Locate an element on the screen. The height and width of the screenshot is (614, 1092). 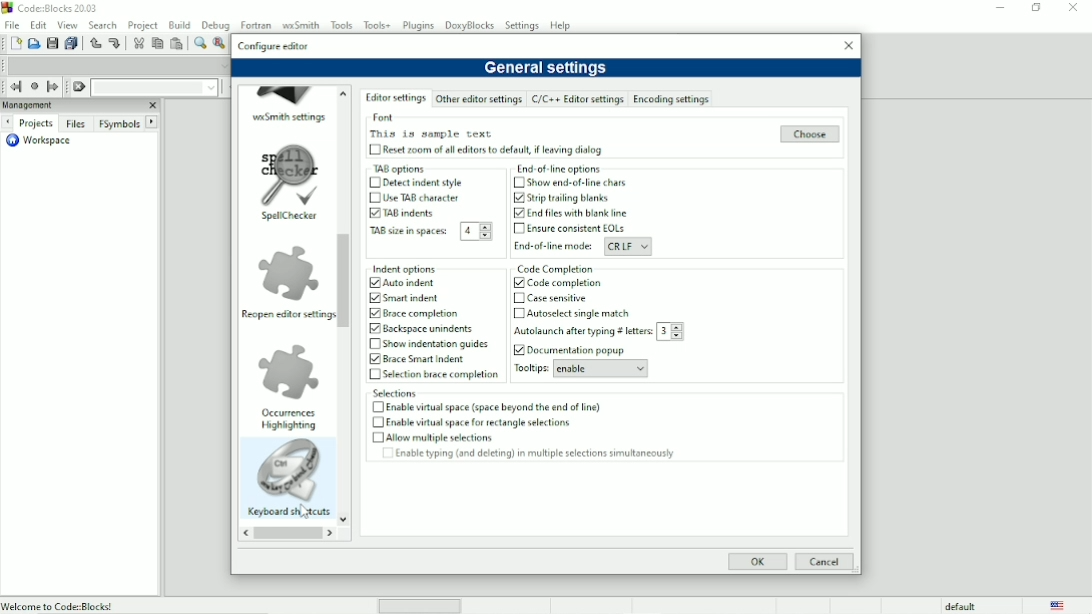
 is located at coordinates (372, 196).